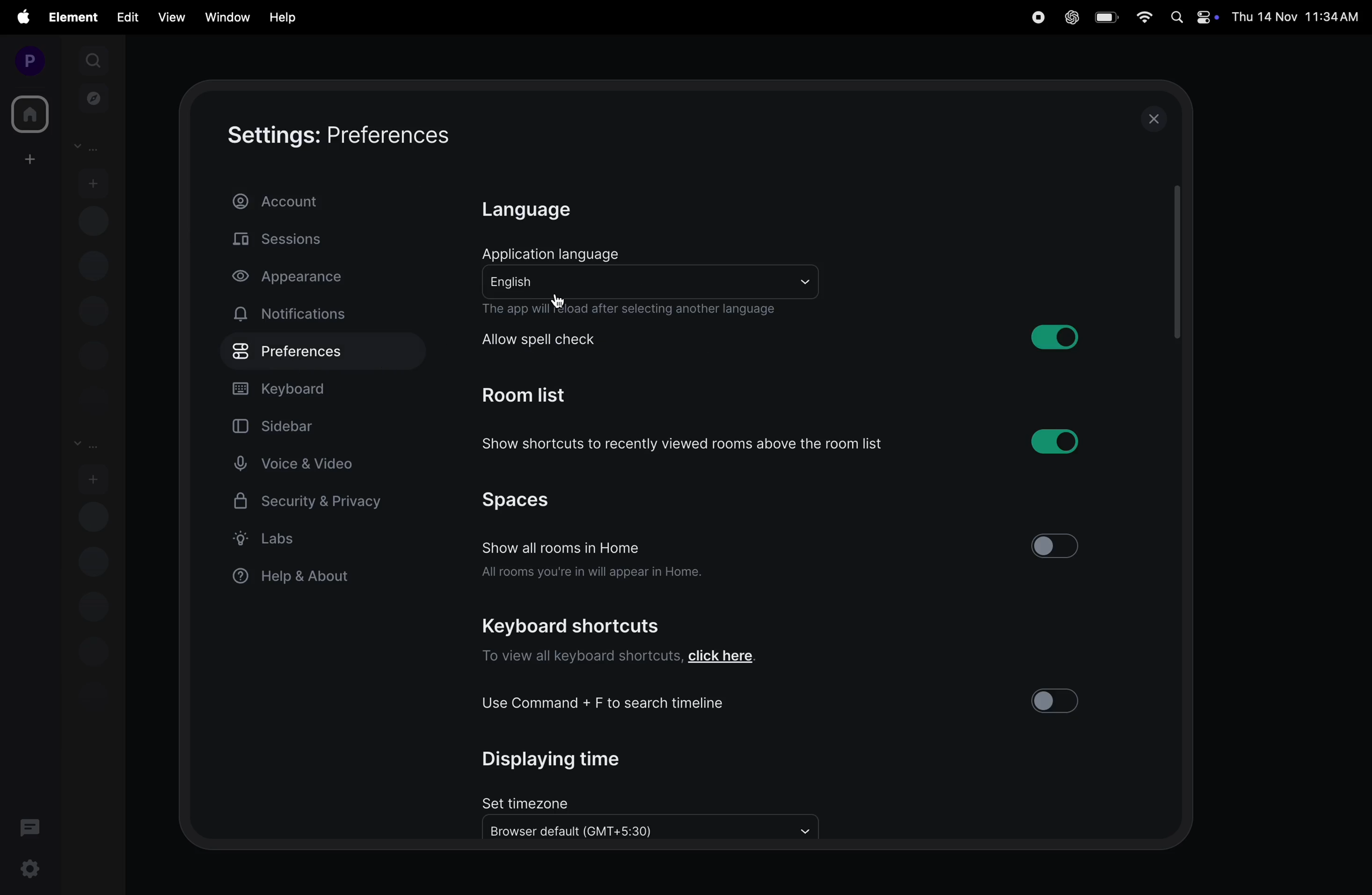 The width and height of the screenshot is (1372, 895). What do you see at coordinates (1105, 17) in the screenshot?
I see `battery` at bounding box center [1105, 17].